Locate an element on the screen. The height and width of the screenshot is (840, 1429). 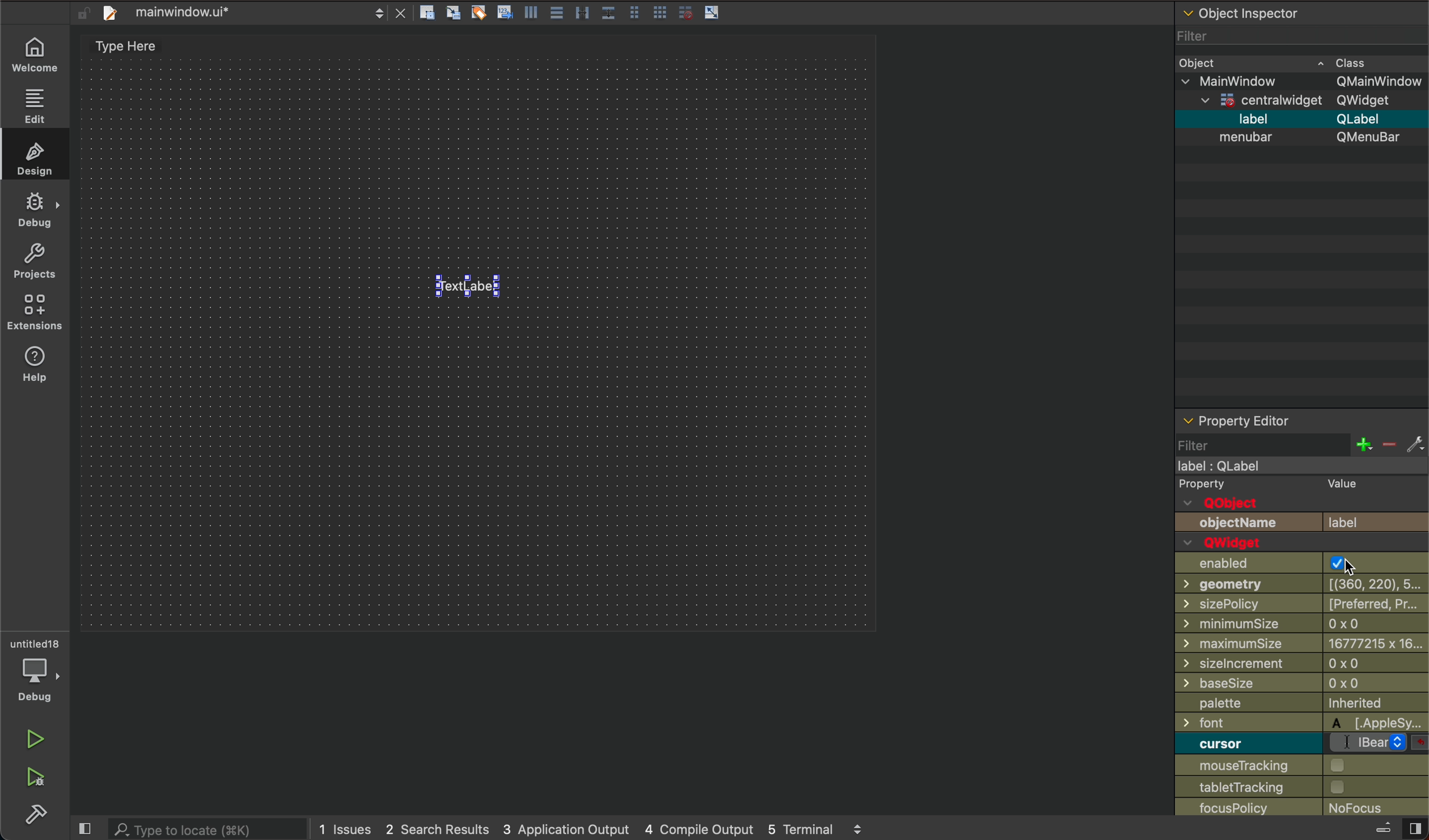
curosor is located at coordinates (1238, 743).